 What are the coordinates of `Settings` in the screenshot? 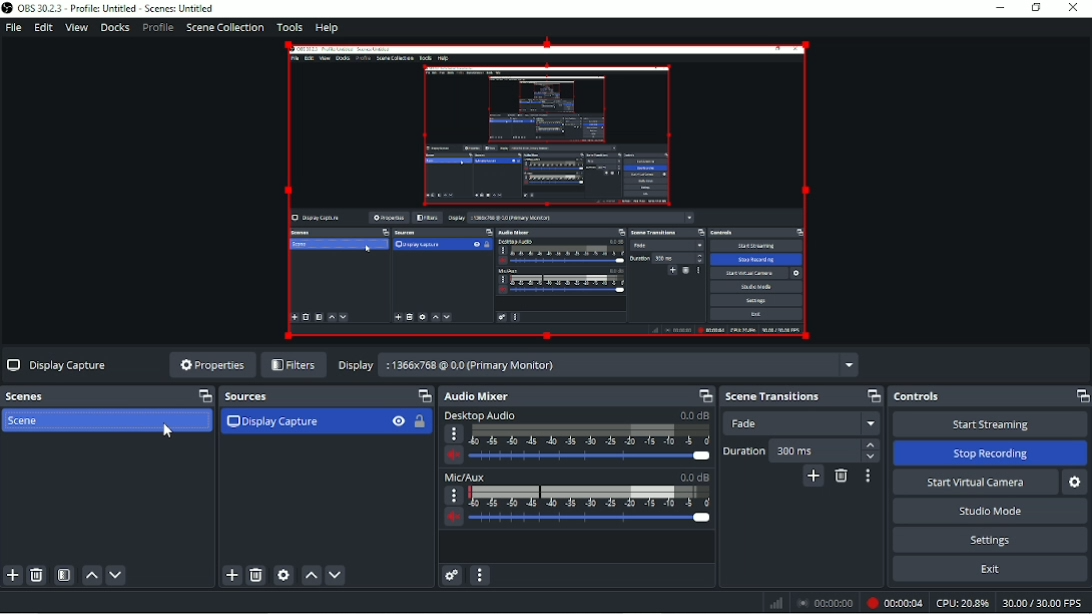 It's located at (992, 540).